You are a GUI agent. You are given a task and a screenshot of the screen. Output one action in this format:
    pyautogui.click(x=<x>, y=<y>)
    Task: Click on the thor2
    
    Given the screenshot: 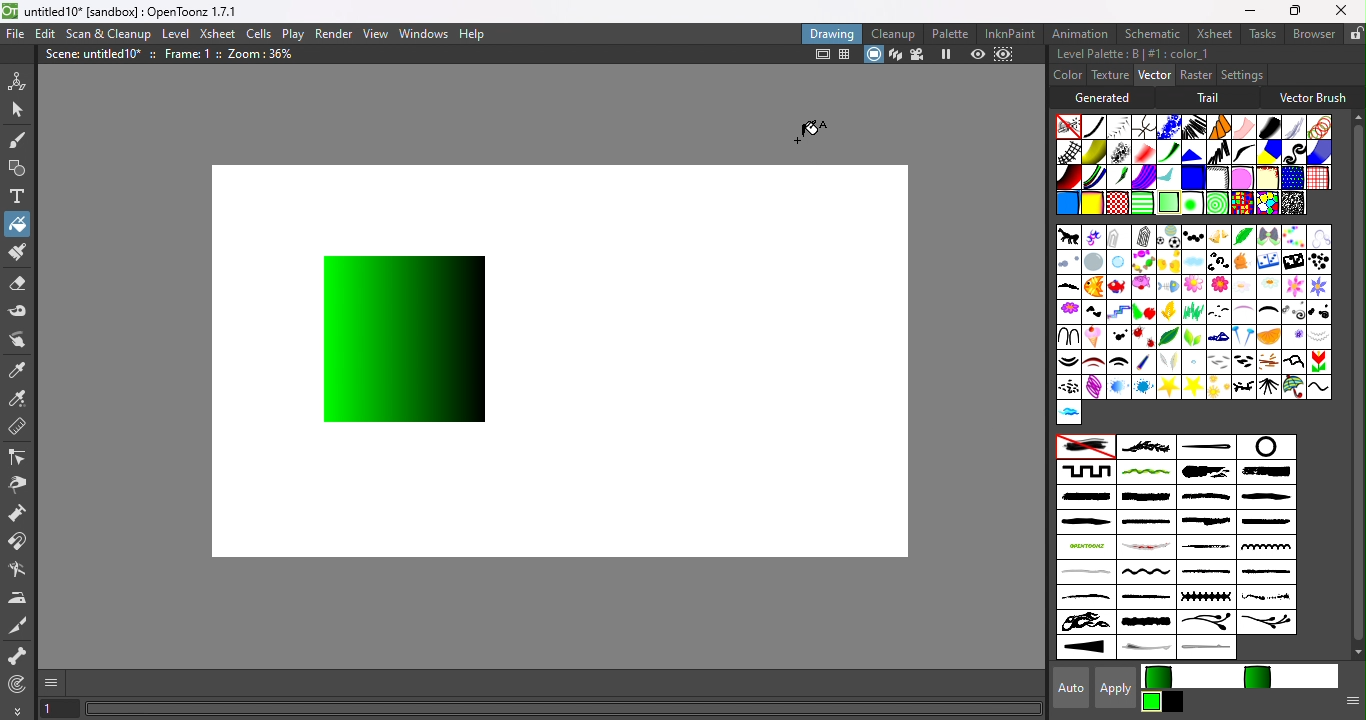 What is the action you would take?
    pyautogui.click(x=1269, y=386)
    